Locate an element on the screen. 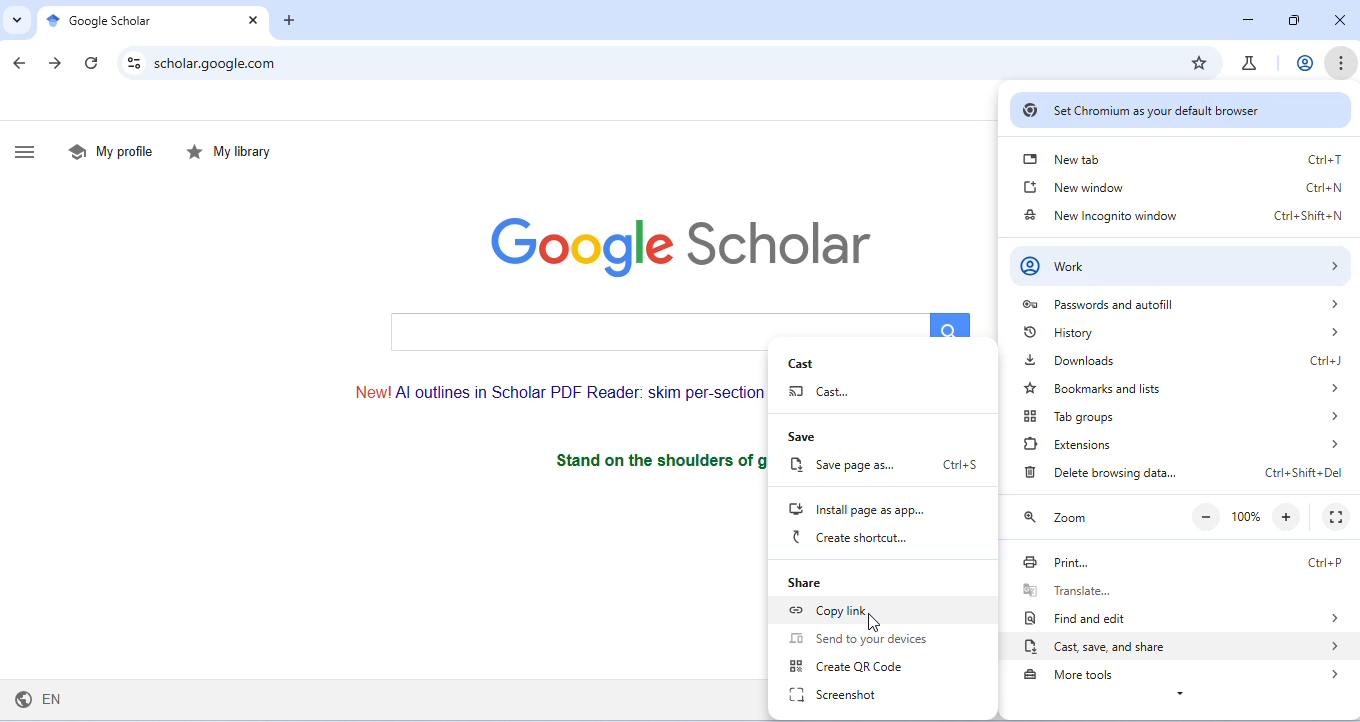 The image size is (1360, 722). find or edit is located at coordinates (1180, 618).